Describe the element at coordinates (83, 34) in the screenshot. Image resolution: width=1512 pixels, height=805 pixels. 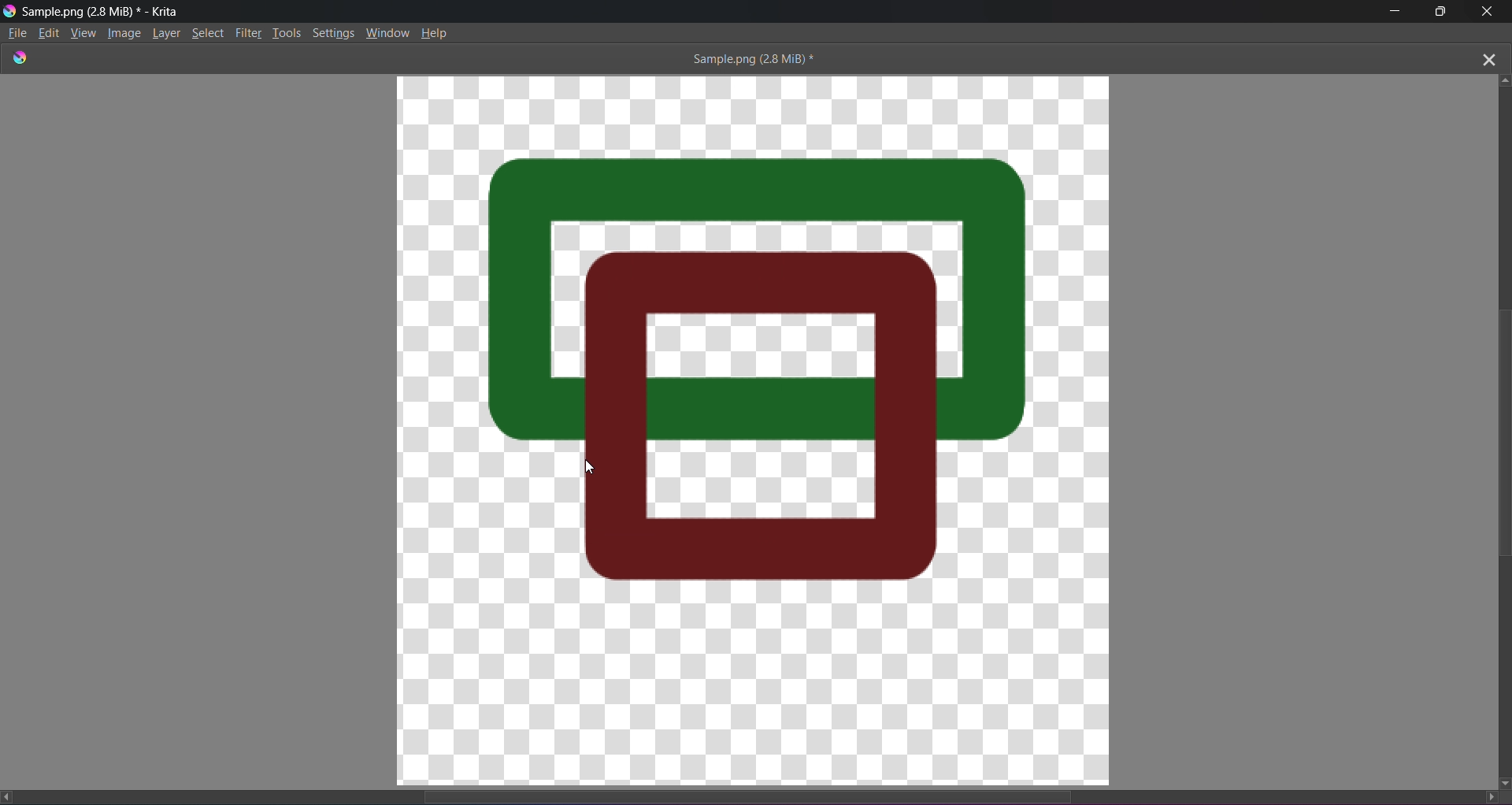
I see `View` at that location.